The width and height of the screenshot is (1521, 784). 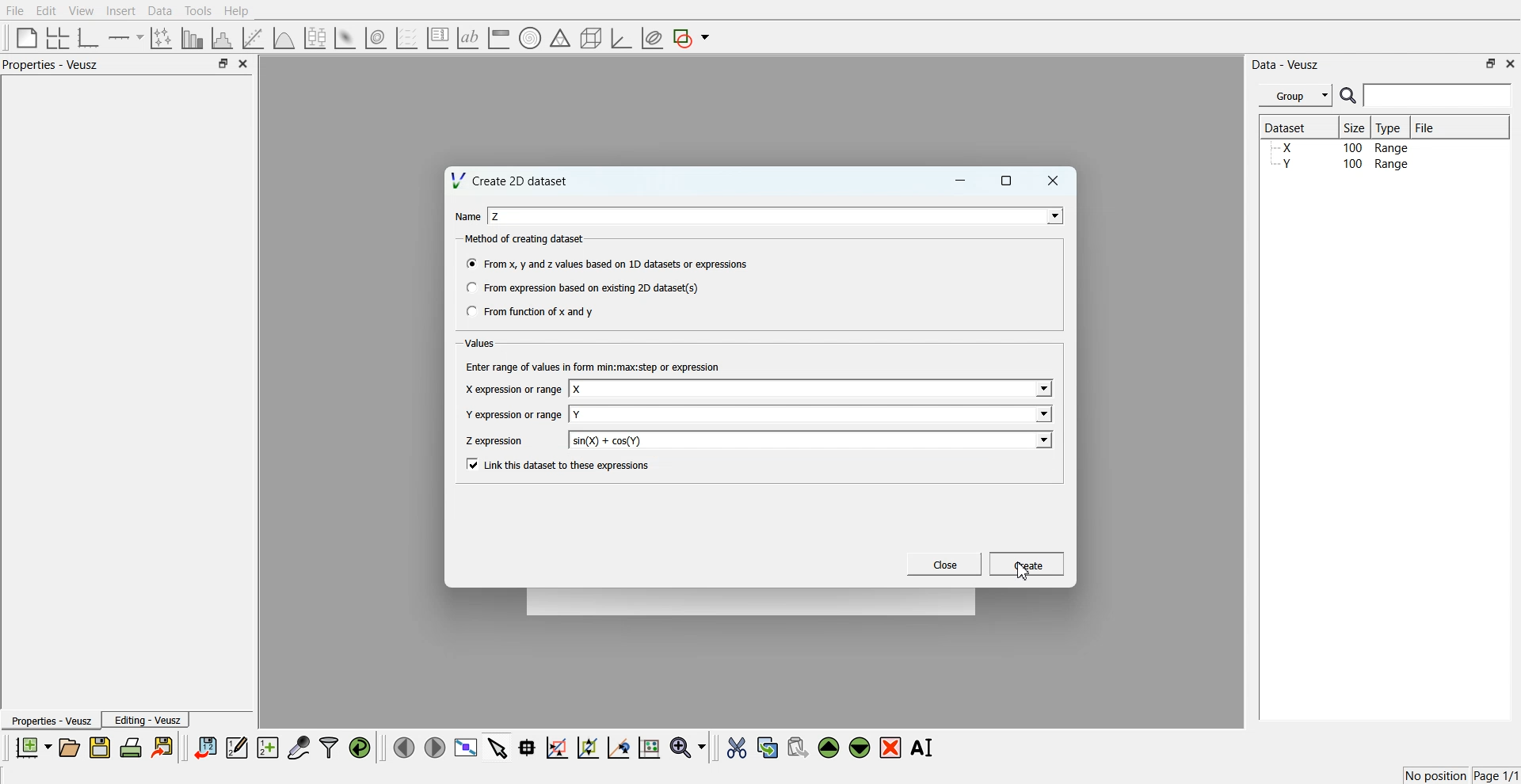 I want to click on Recenter graph axes, so click(x=619, y=747).